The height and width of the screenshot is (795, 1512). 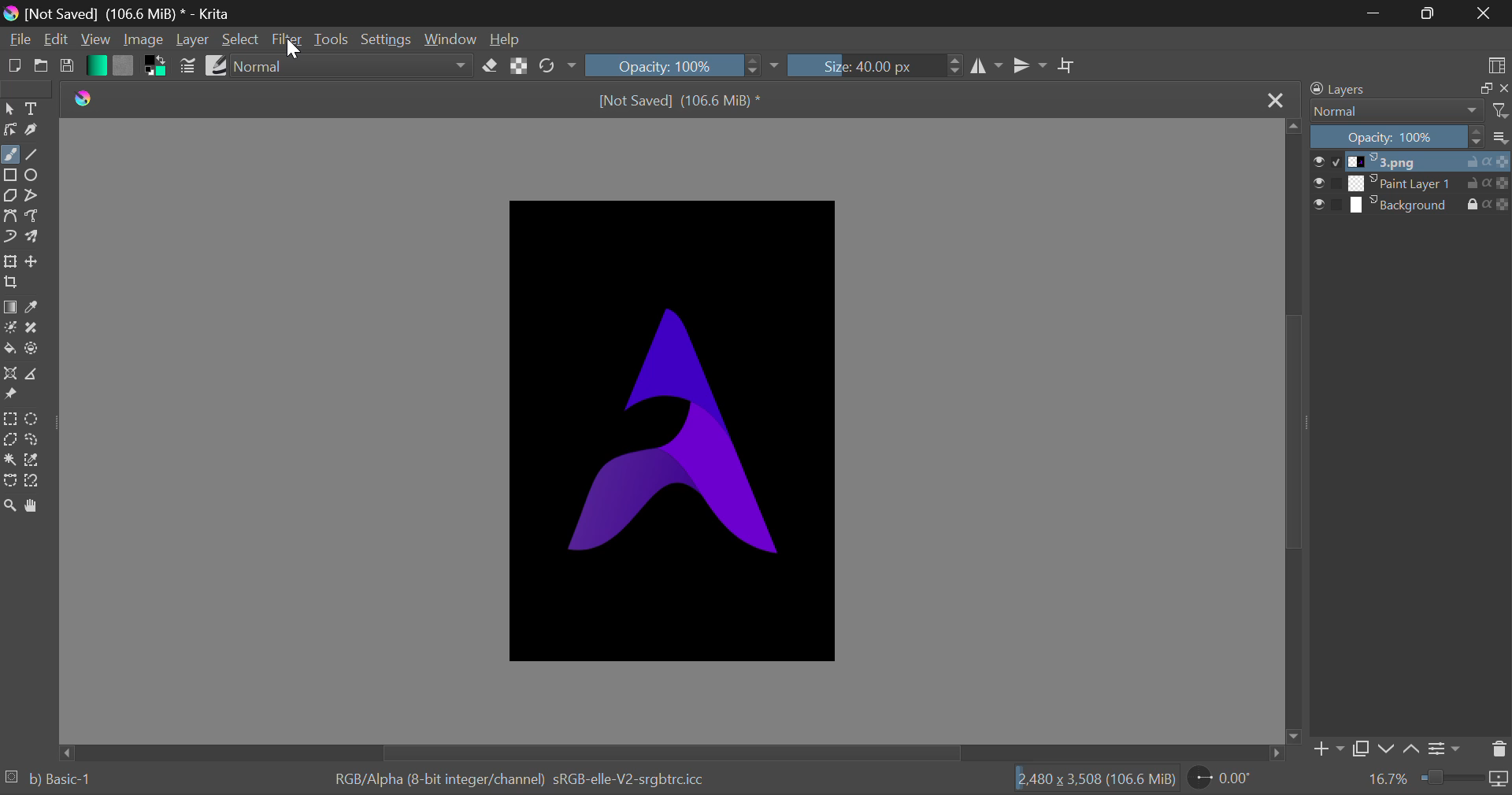 I want to click on 1.png, so click(x=1411, y=162).